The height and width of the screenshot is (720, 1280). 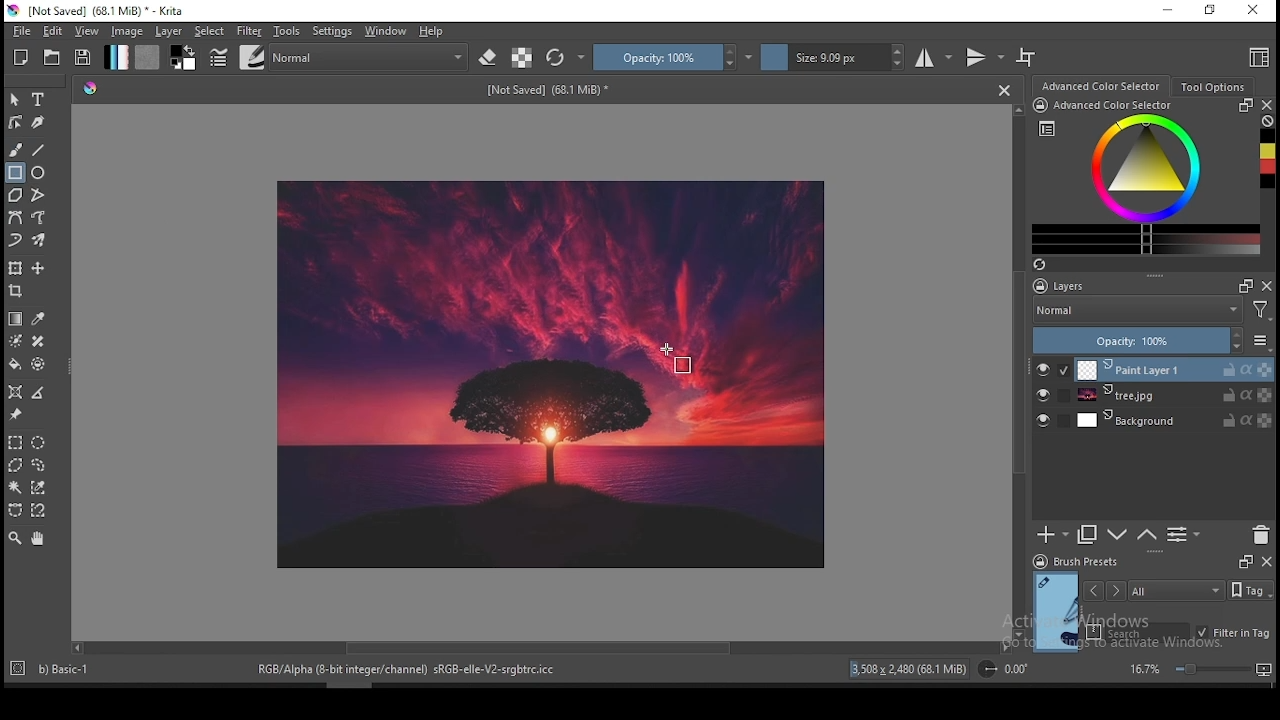 What do you see at coordinates (1044, 369) in the screenshot?
I see `layer visibility on/off` at bounding box center [1044, 369].